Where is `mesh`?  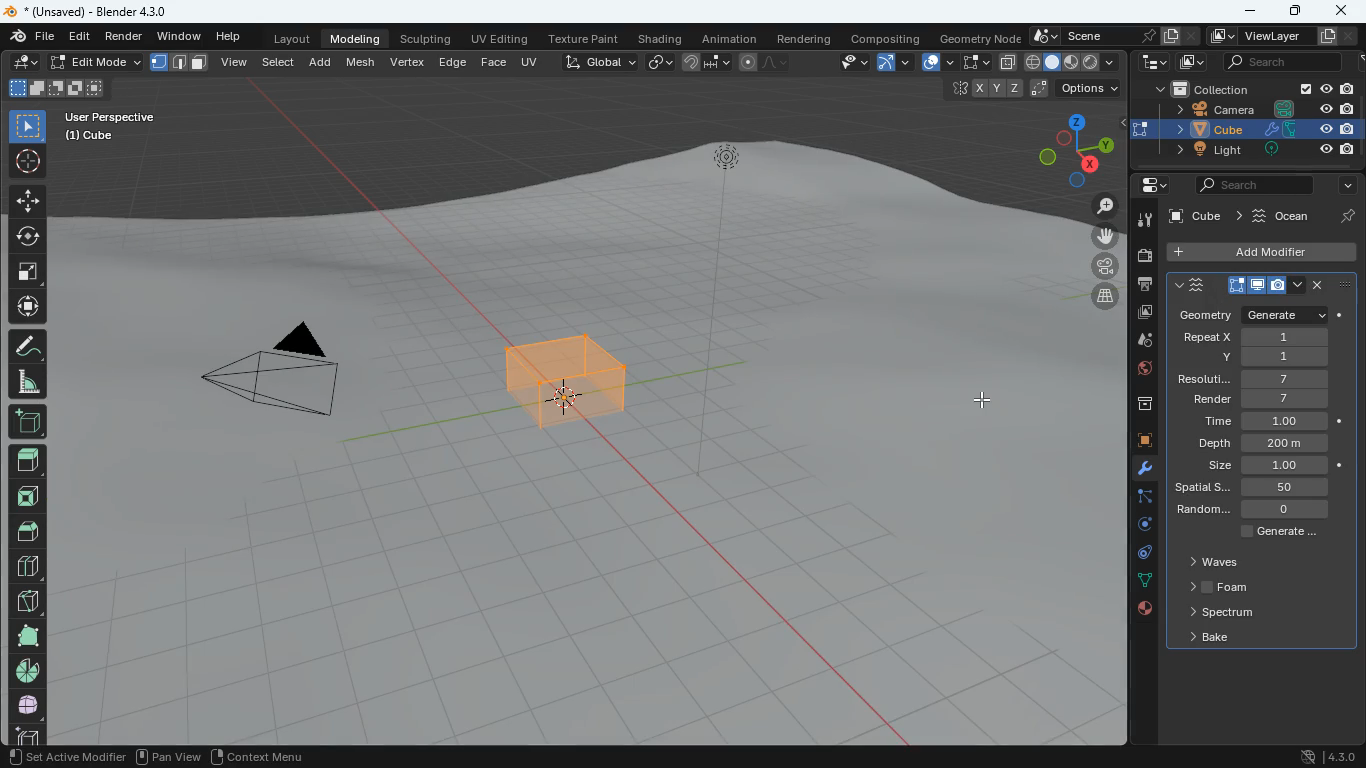 mesh is located at coordinates (363, 60).